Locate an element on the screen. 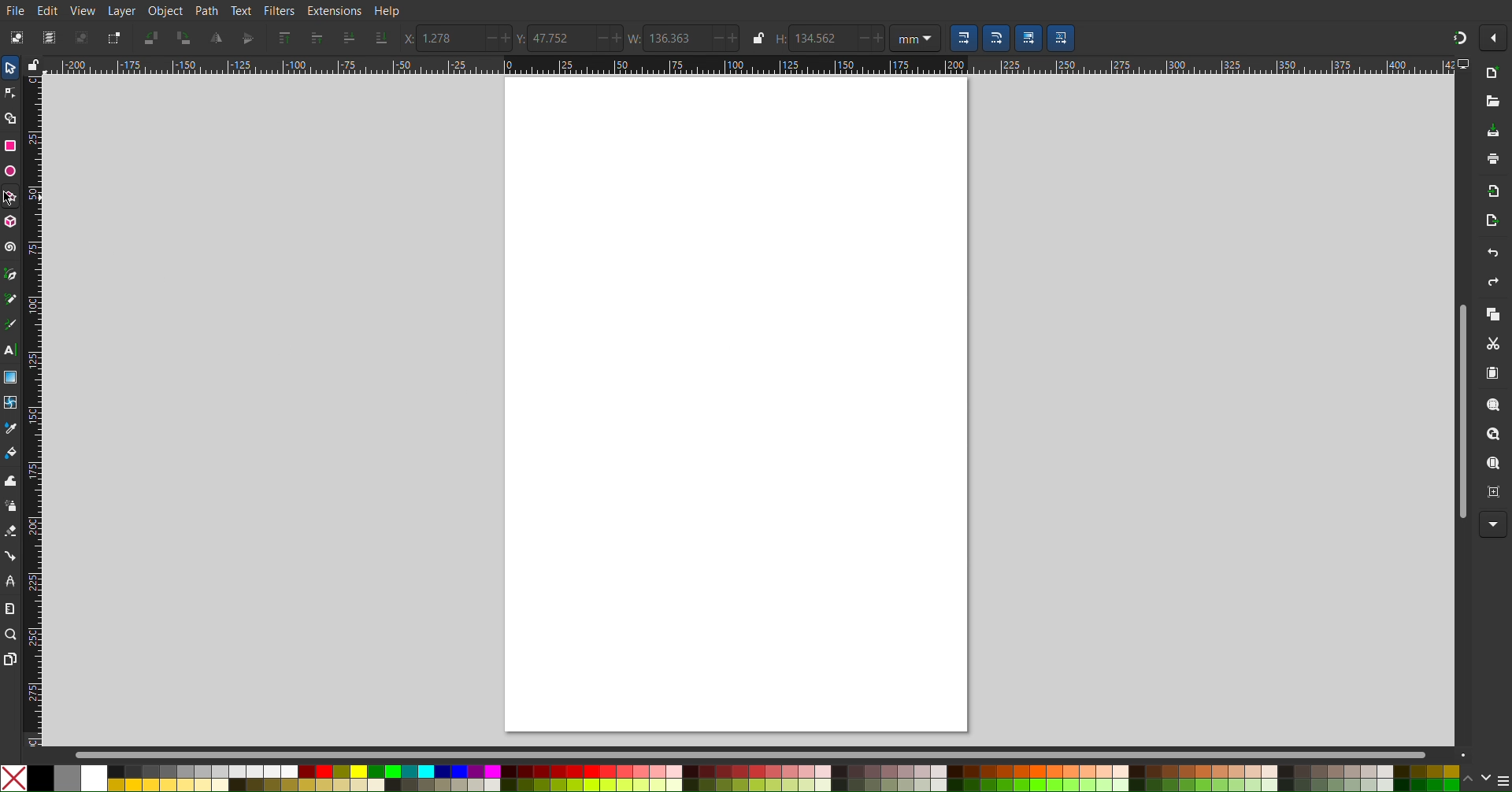 The height and width of the screenshot is (792, 1512). Vertical Ruler is located at coordinates (32, 411).